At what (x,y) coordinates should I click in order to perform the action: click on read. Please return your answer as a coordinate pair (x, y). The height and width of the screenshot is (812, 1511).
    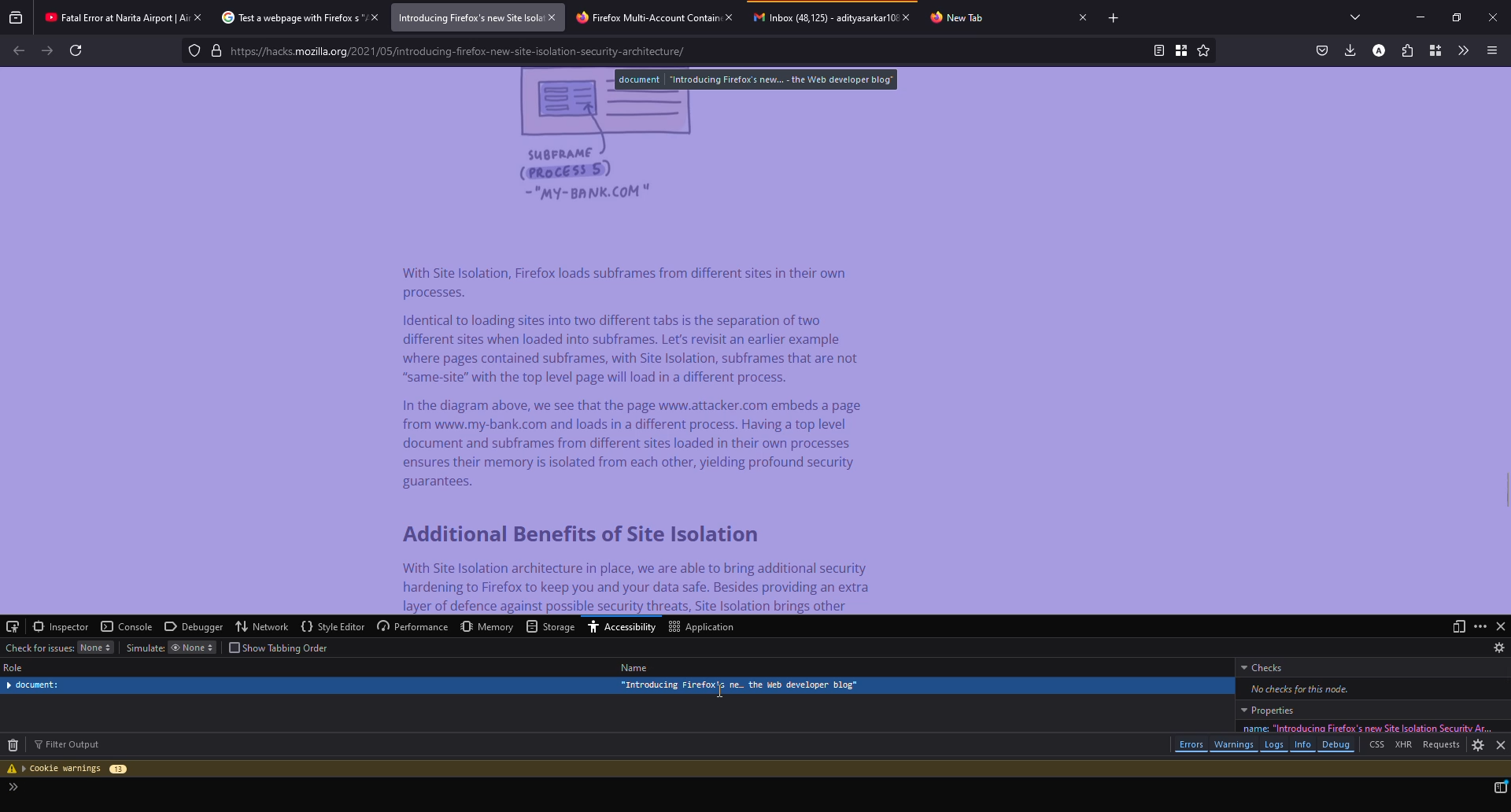
    Looking at the image, I should click on (1158, 50).